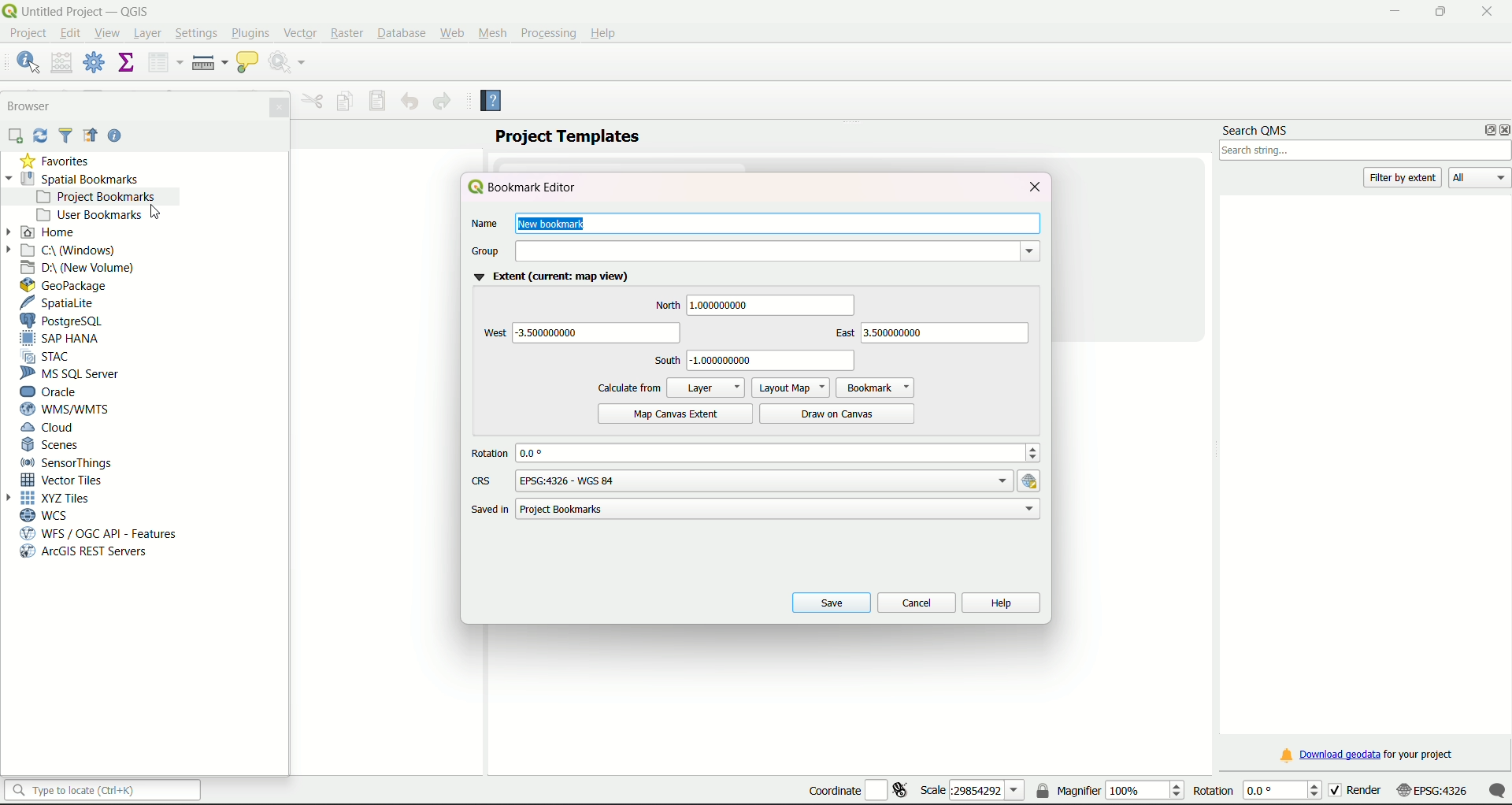 Image resolution: width=1512 pixels, height=805 pixels. Describe the element at coordinates (825, 414) in the screenshot. I see `Draw on canvas` at that location.